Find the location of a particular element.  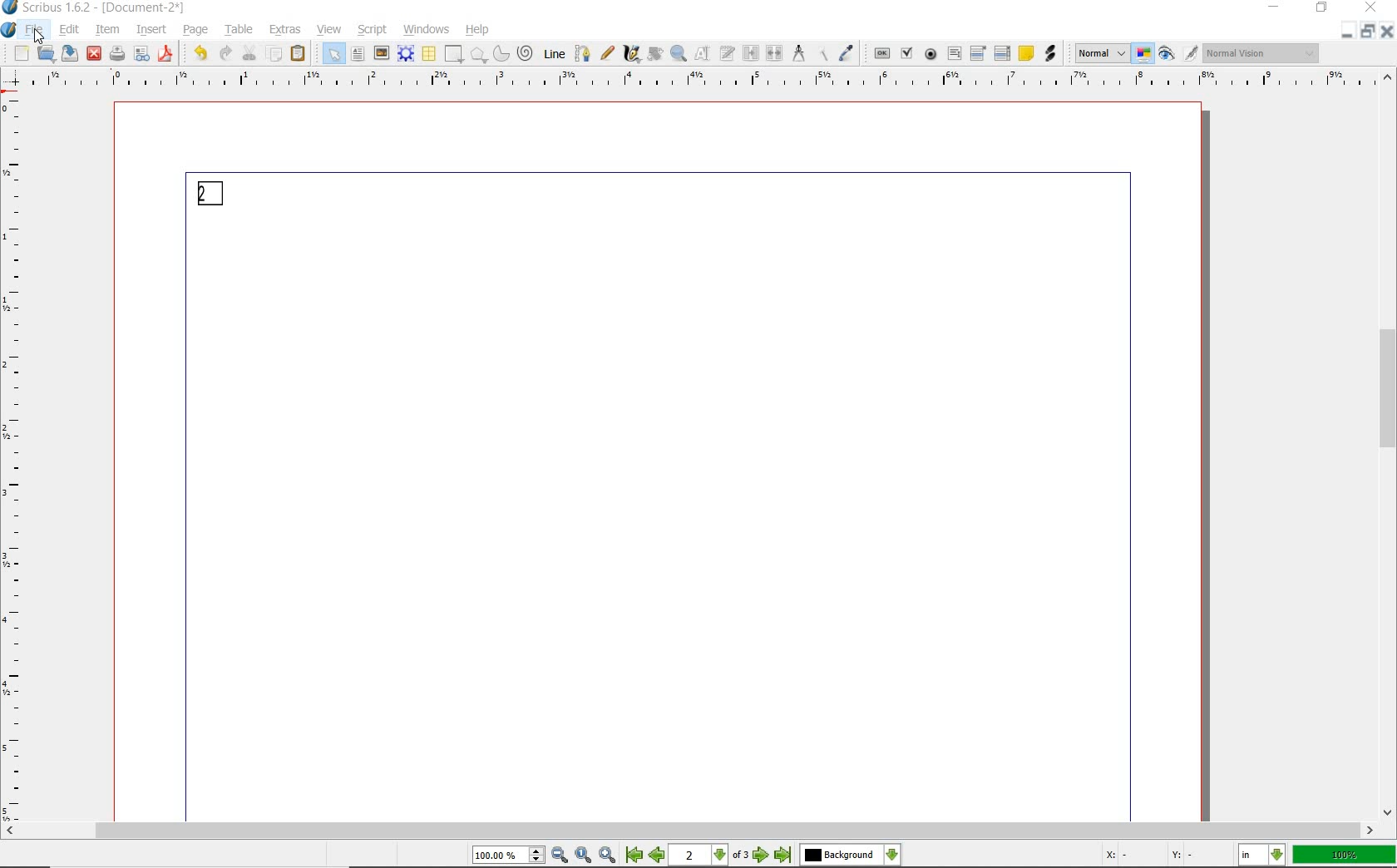

pdf check box is located at coordinates (908, 55).